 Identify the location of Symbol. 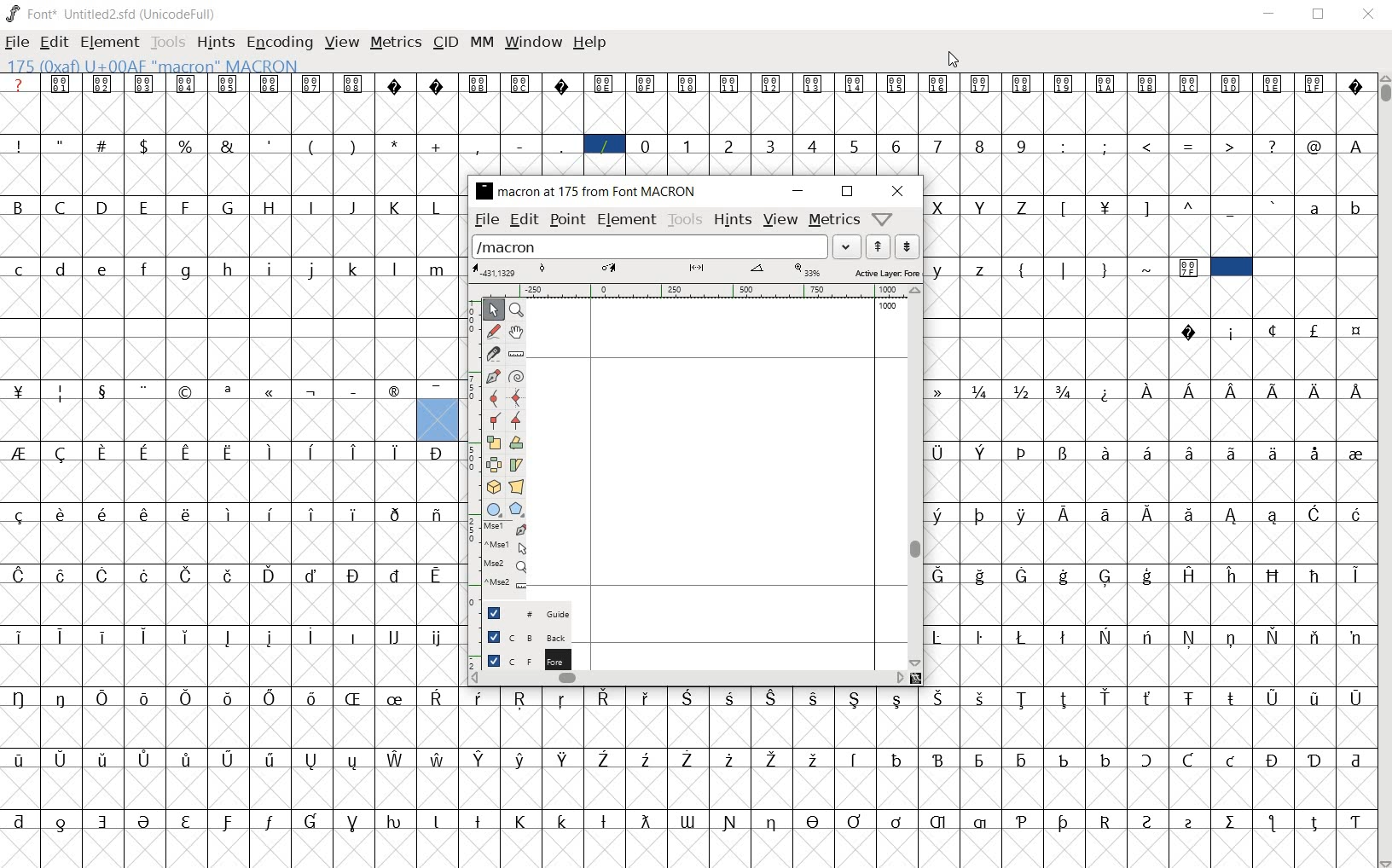
(270, 83).